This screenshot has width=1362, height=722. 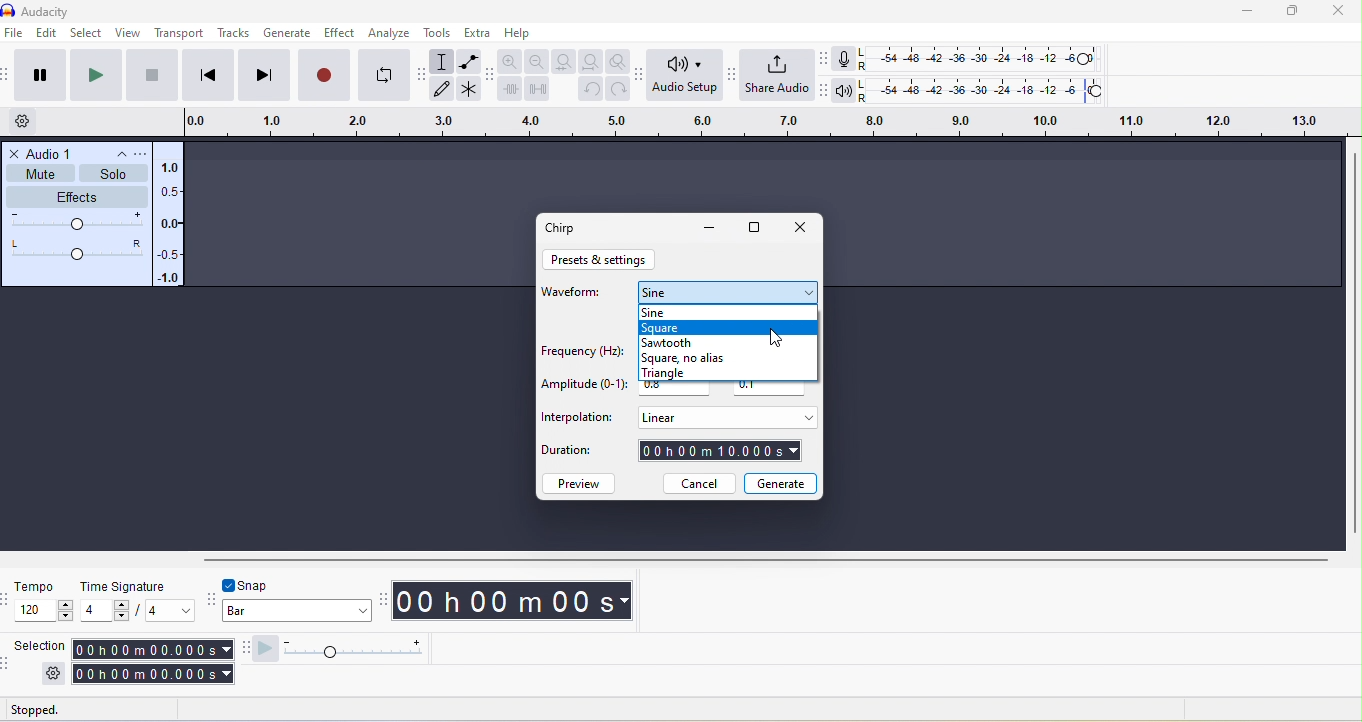 What do you see at coordinates (643, 78) in the screenshot?
I see `audacity audio setup toolbar` at bounding box center [643, 78].